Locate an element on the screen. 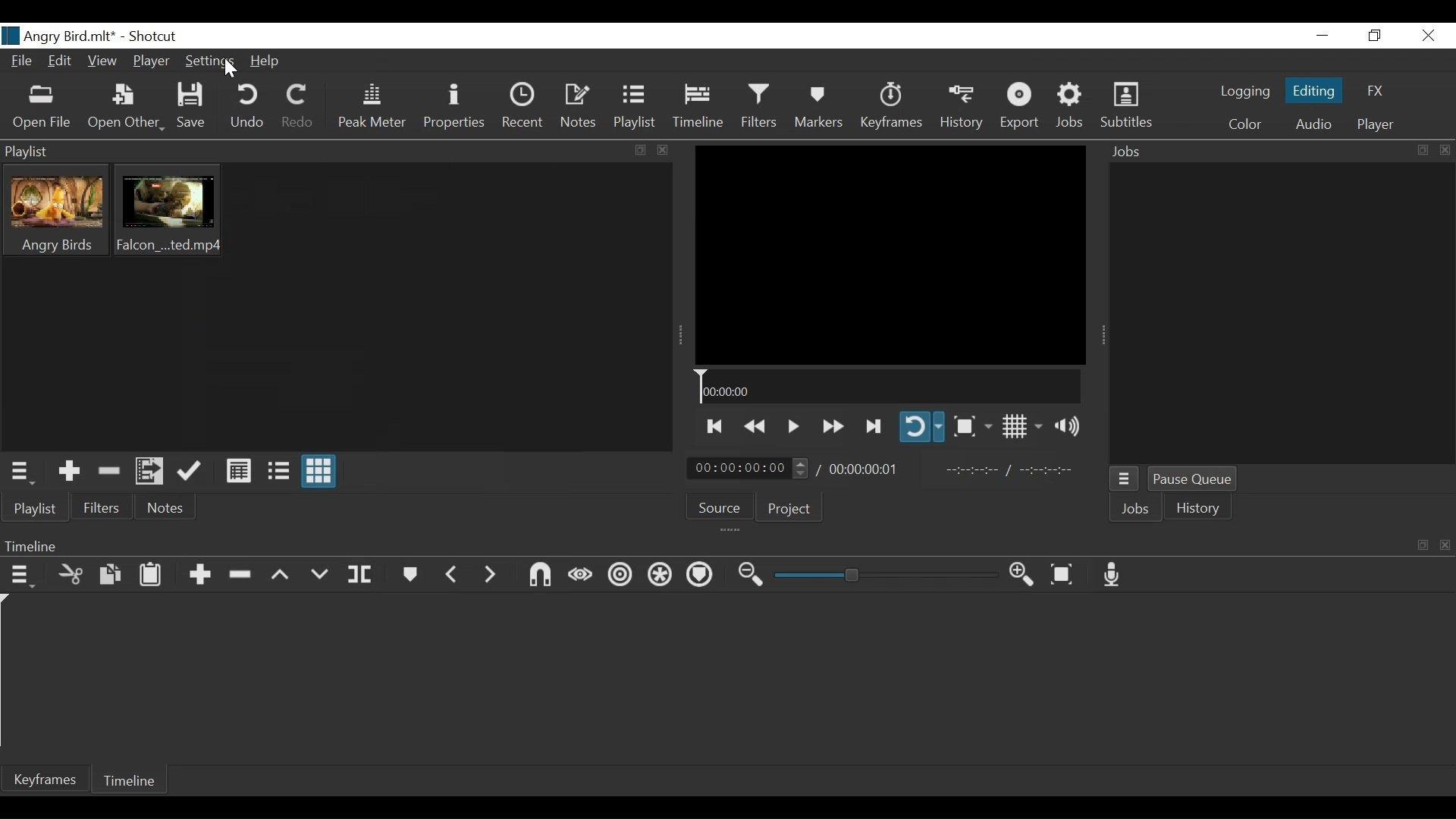 The height and width of the screenshot is (819, 1456). Notes is located at coordinates (577, 108).